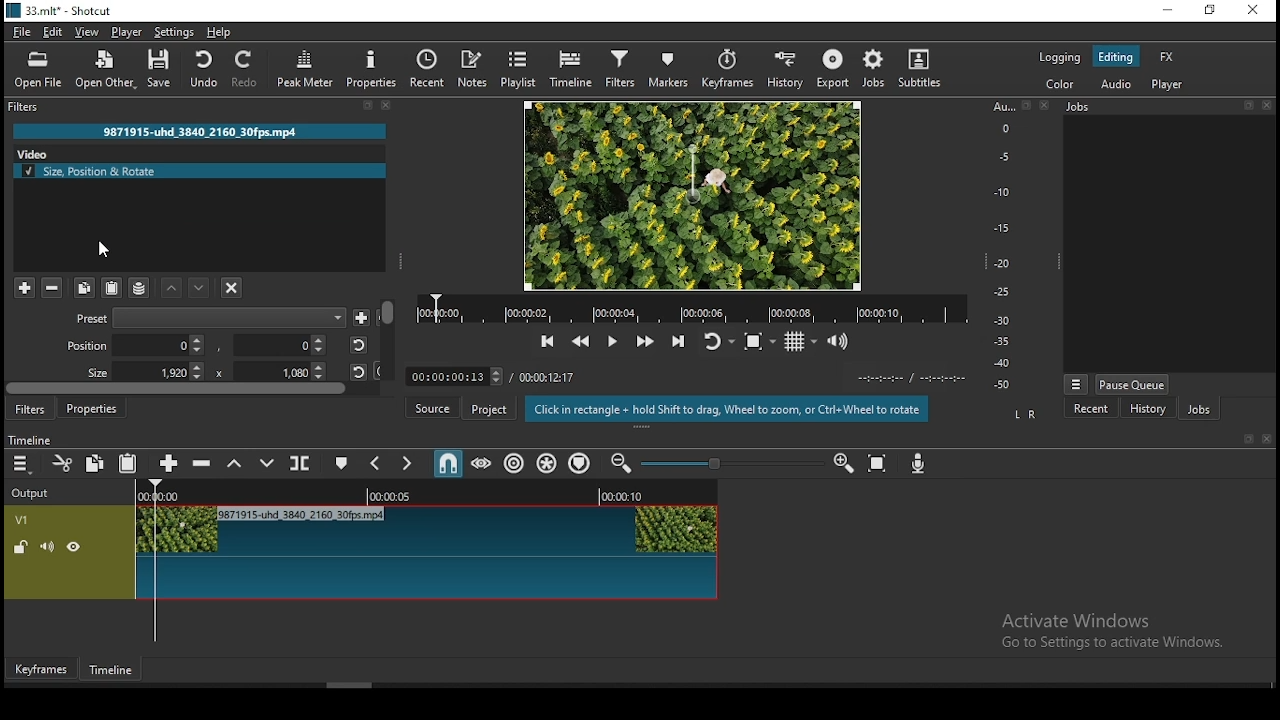  I want to click on -10, so click(1003, 190).